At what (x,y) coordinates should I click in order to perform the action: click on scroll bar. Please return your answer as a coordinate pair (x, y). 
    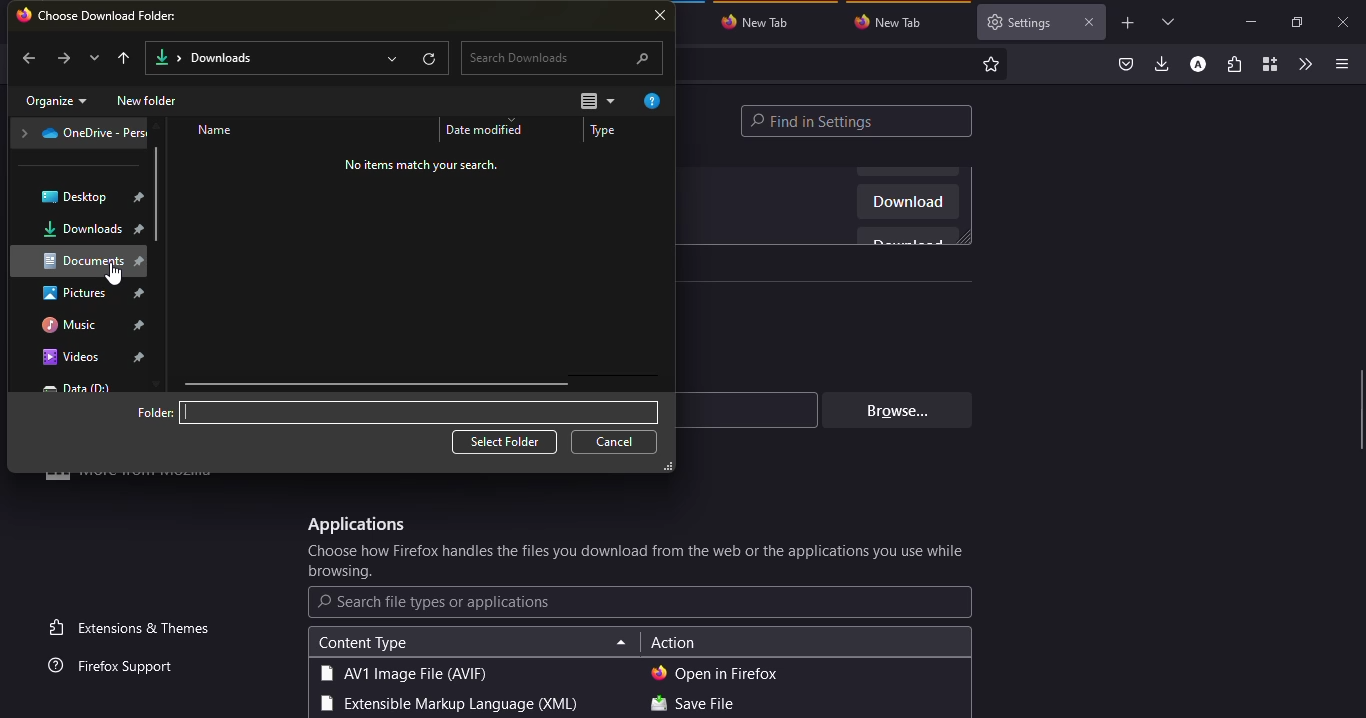
    Looking at the image, I should click on (376, 384).